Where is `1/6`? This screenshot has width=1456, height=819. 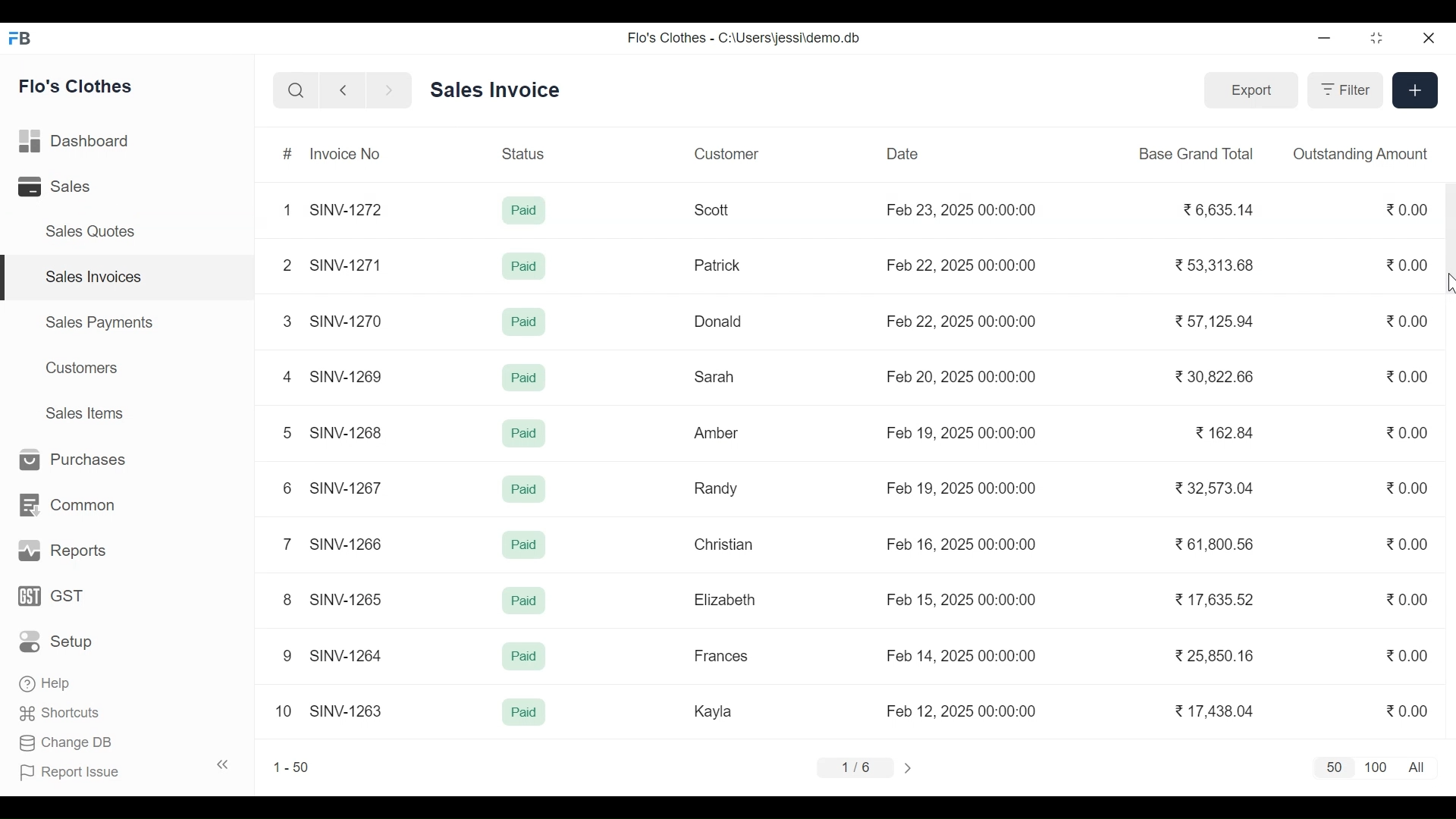 1/6 is located at coordinates (854, 765).